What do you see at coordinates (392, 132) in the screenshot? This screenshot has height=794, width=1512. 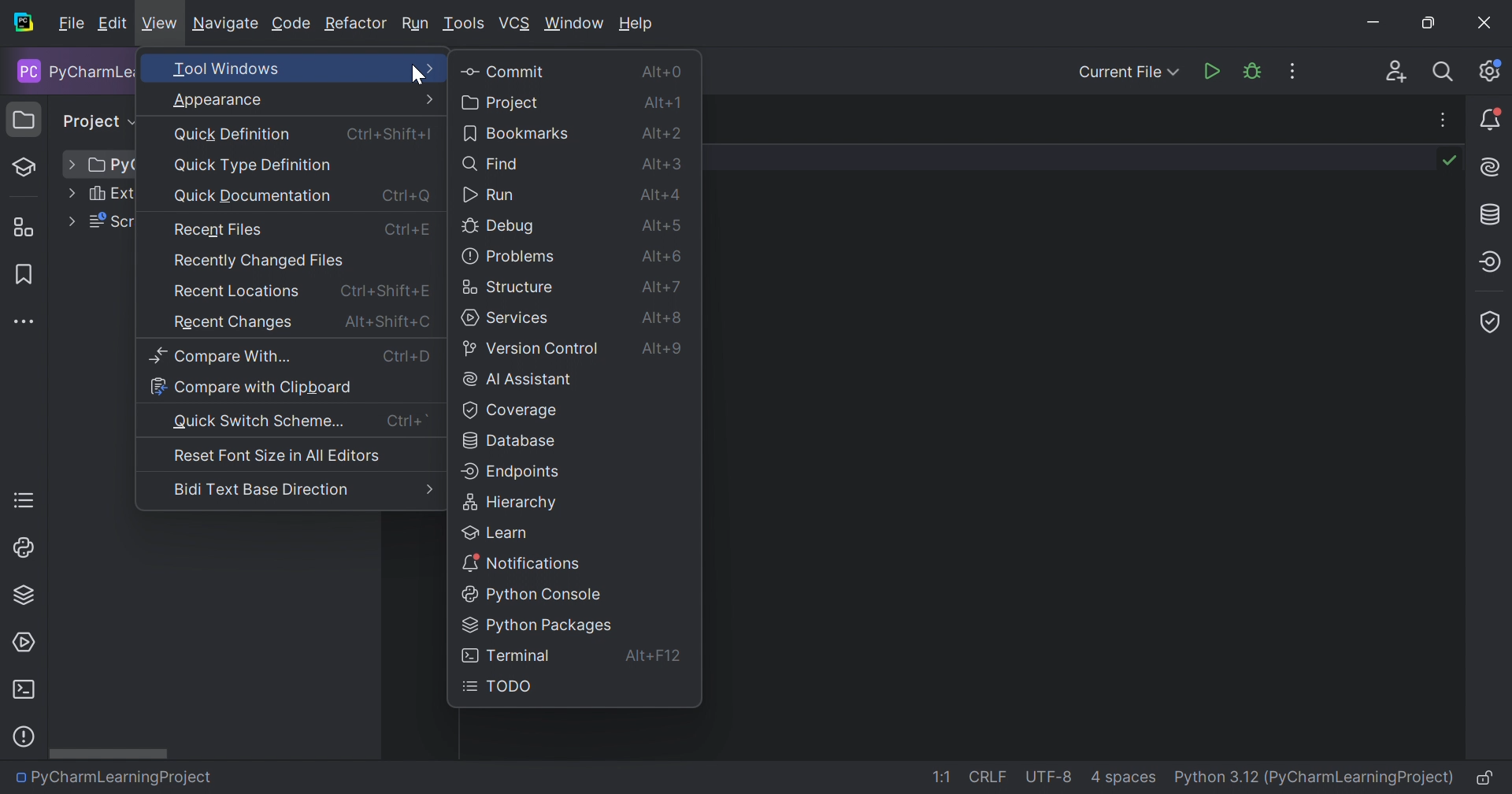 I see `Ctrl+Shift+|` at bounding box center [392, 132].